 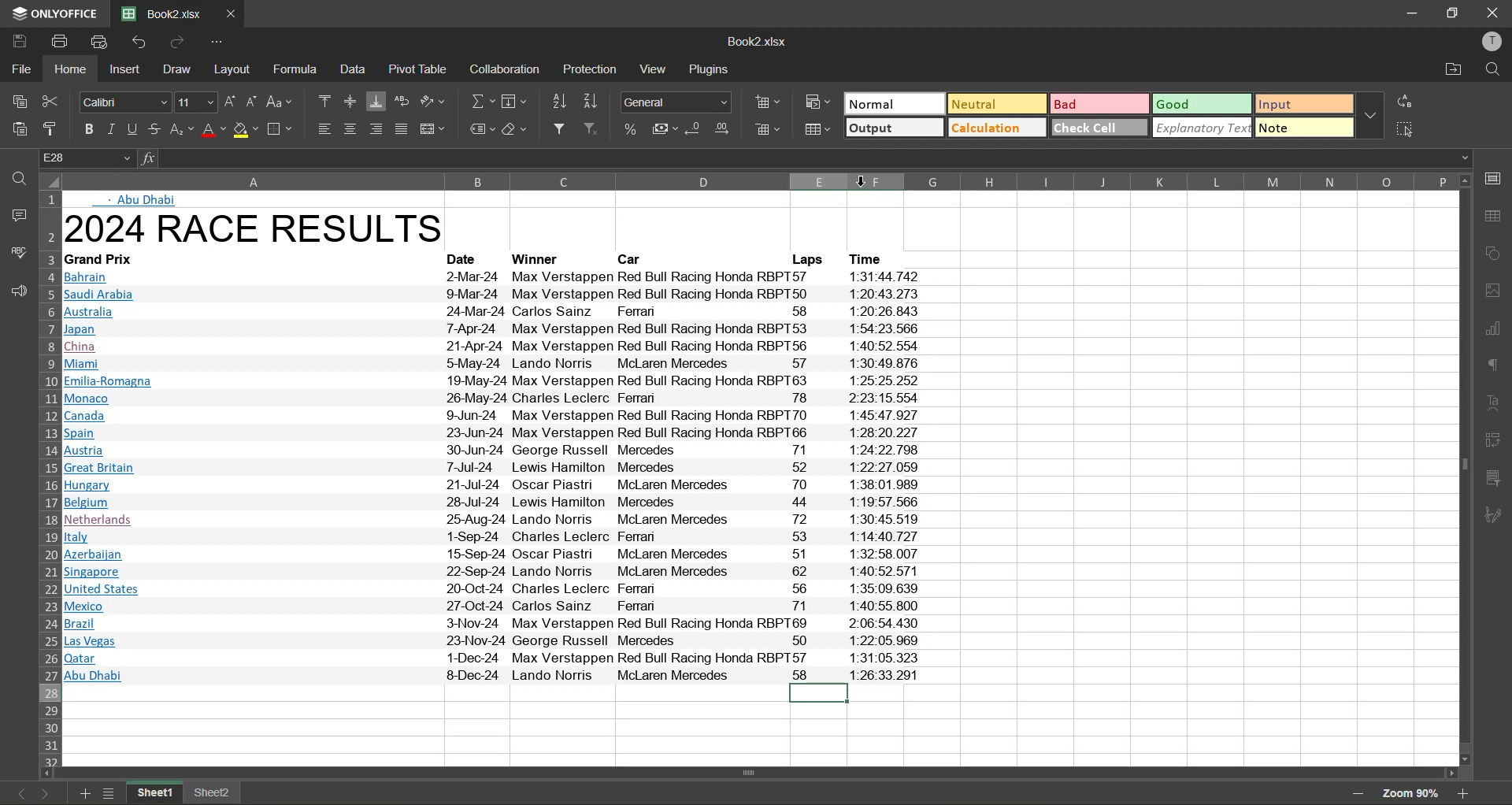 What do you see at coordinates (816, 104) in the screenshot?
I see `conditional formatting` at bounding box center [816, 104].